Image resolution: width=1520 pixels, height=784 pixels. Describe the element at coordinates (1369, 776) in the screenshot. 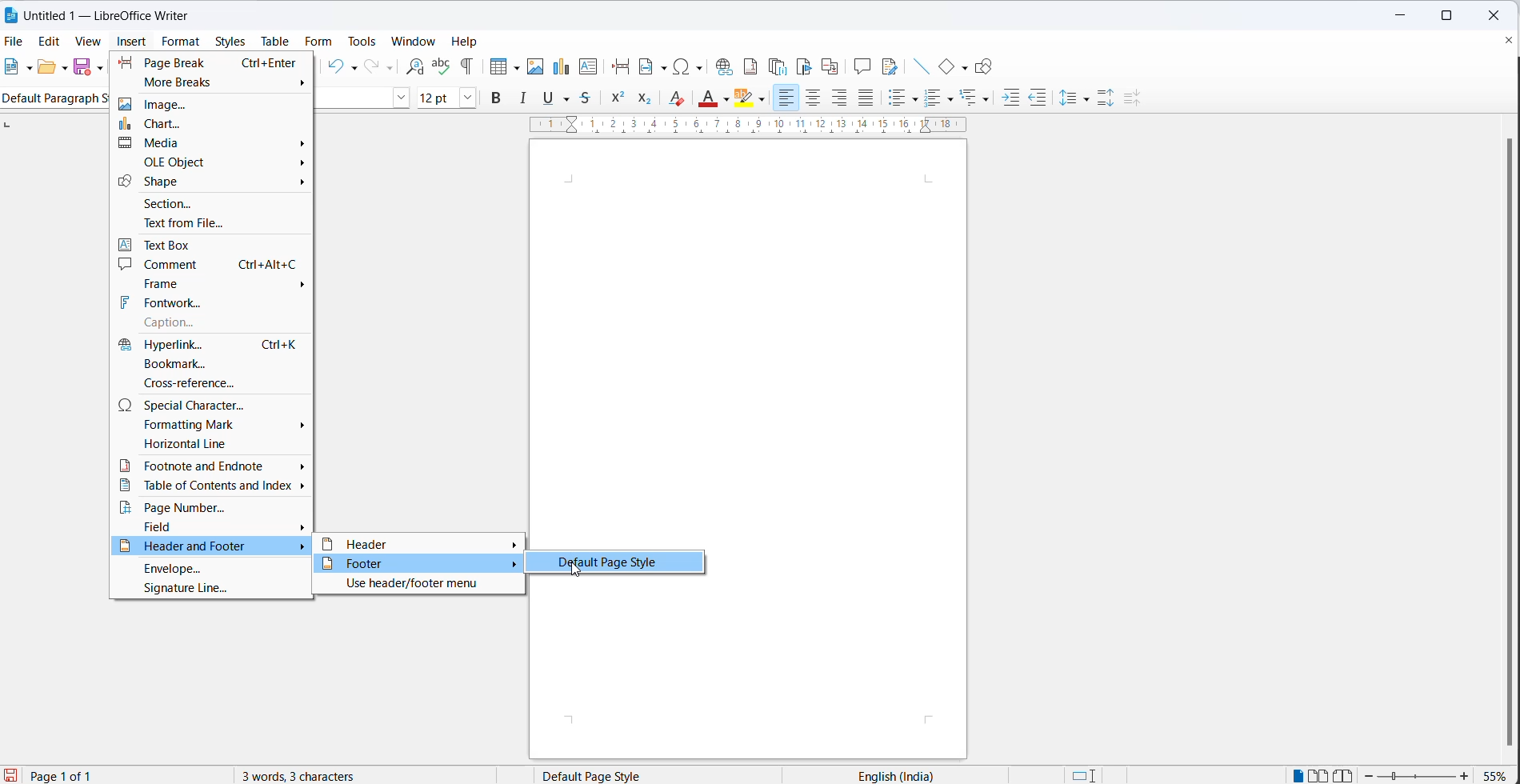

I see `zoom decrease` at that location.